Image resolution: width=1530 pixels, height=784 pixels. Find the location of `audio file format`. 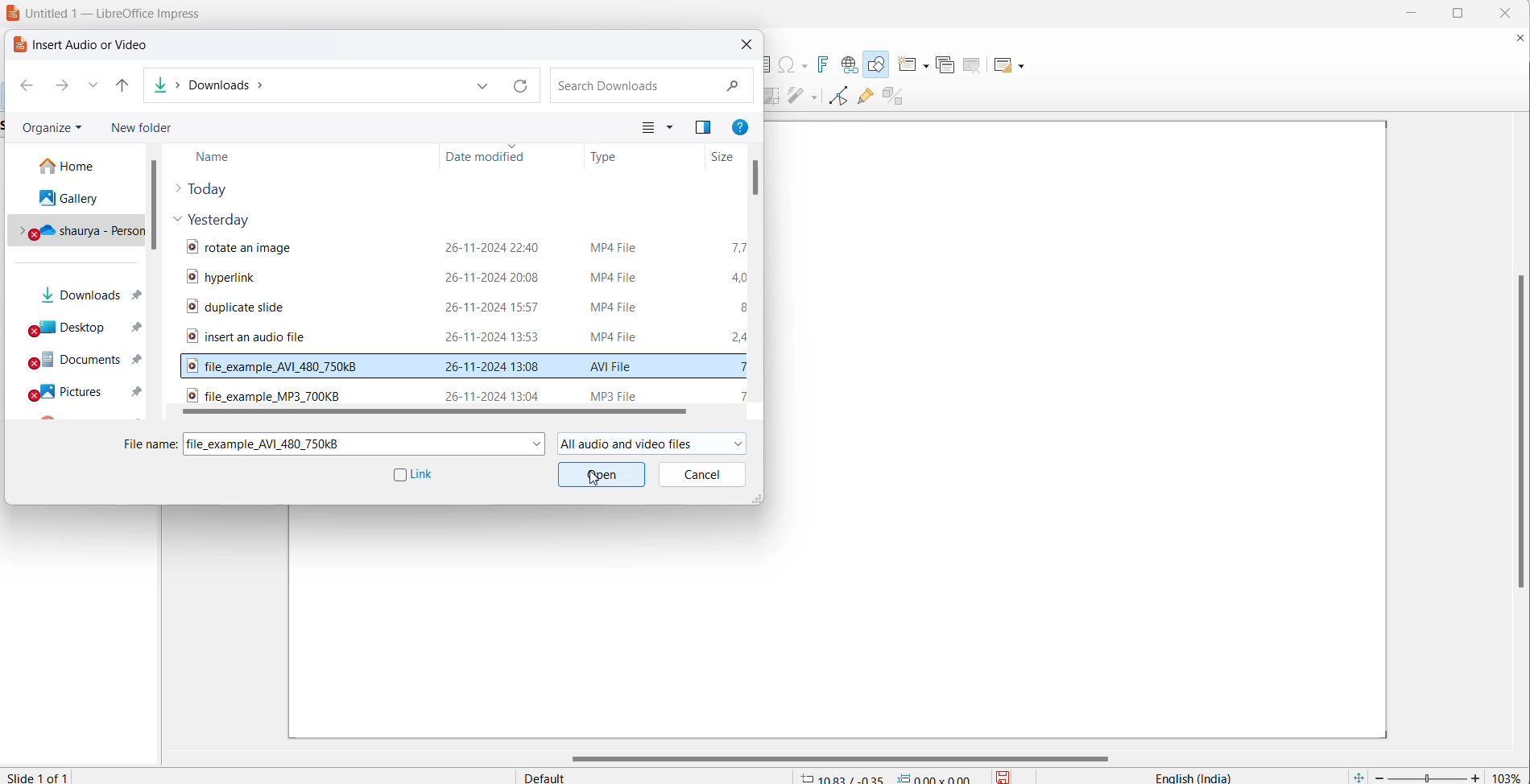

audio file format is located at coordinates (614, 394).